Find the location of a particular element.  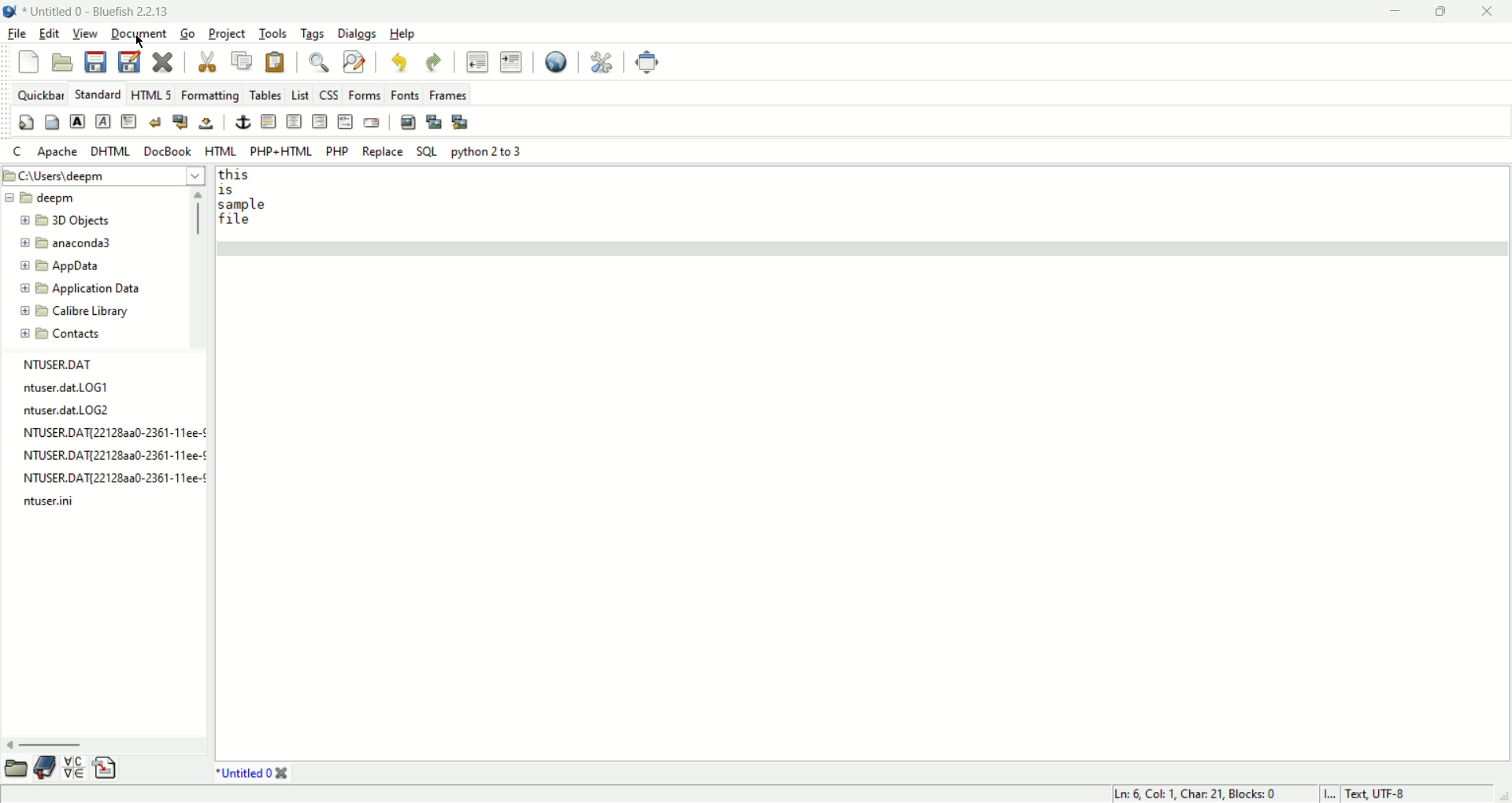

PHP is located at coordinates (336, 153).